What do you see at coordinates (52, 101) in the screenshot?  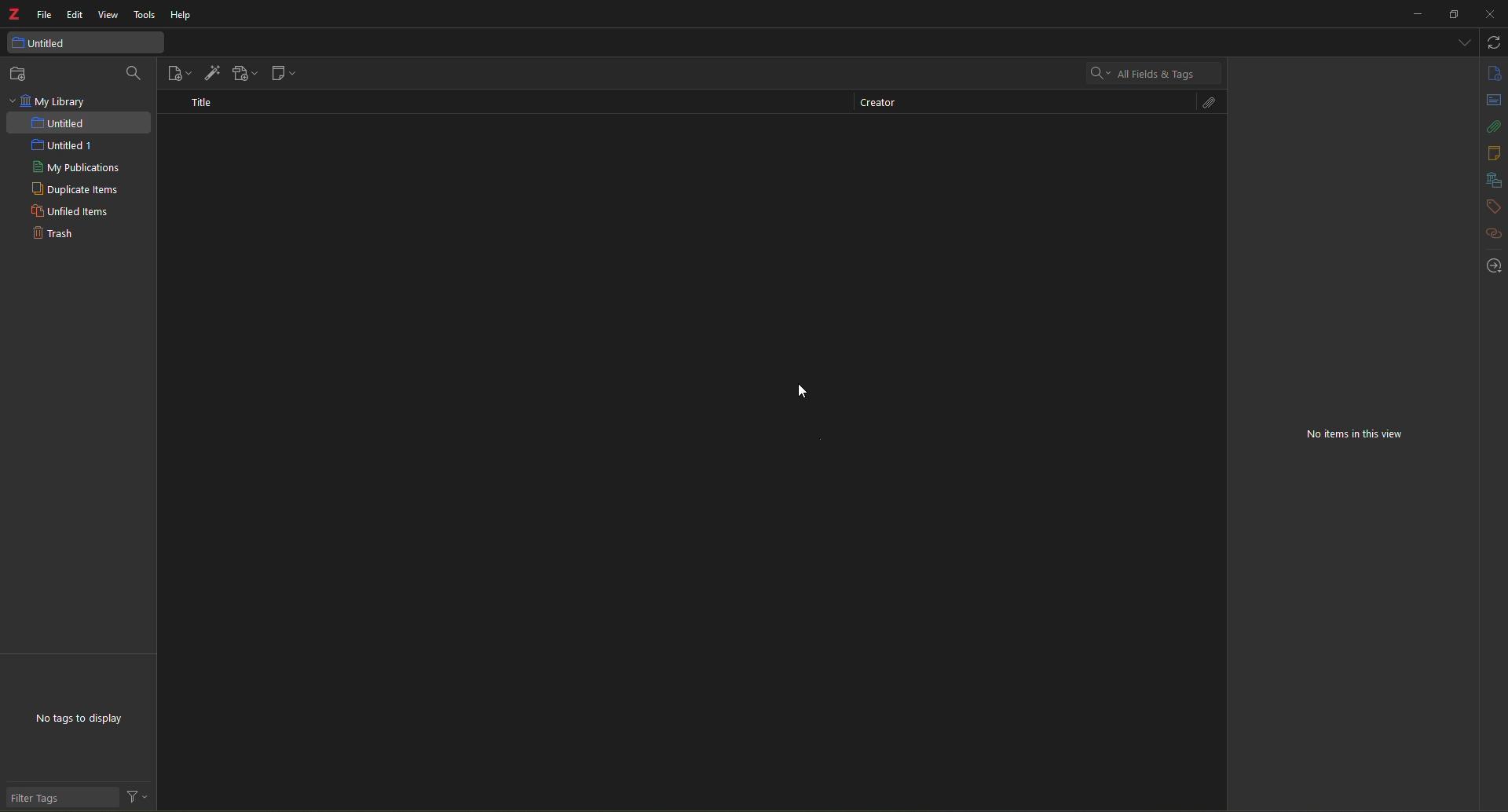 I see `my library` at bounding box center [52, 101].